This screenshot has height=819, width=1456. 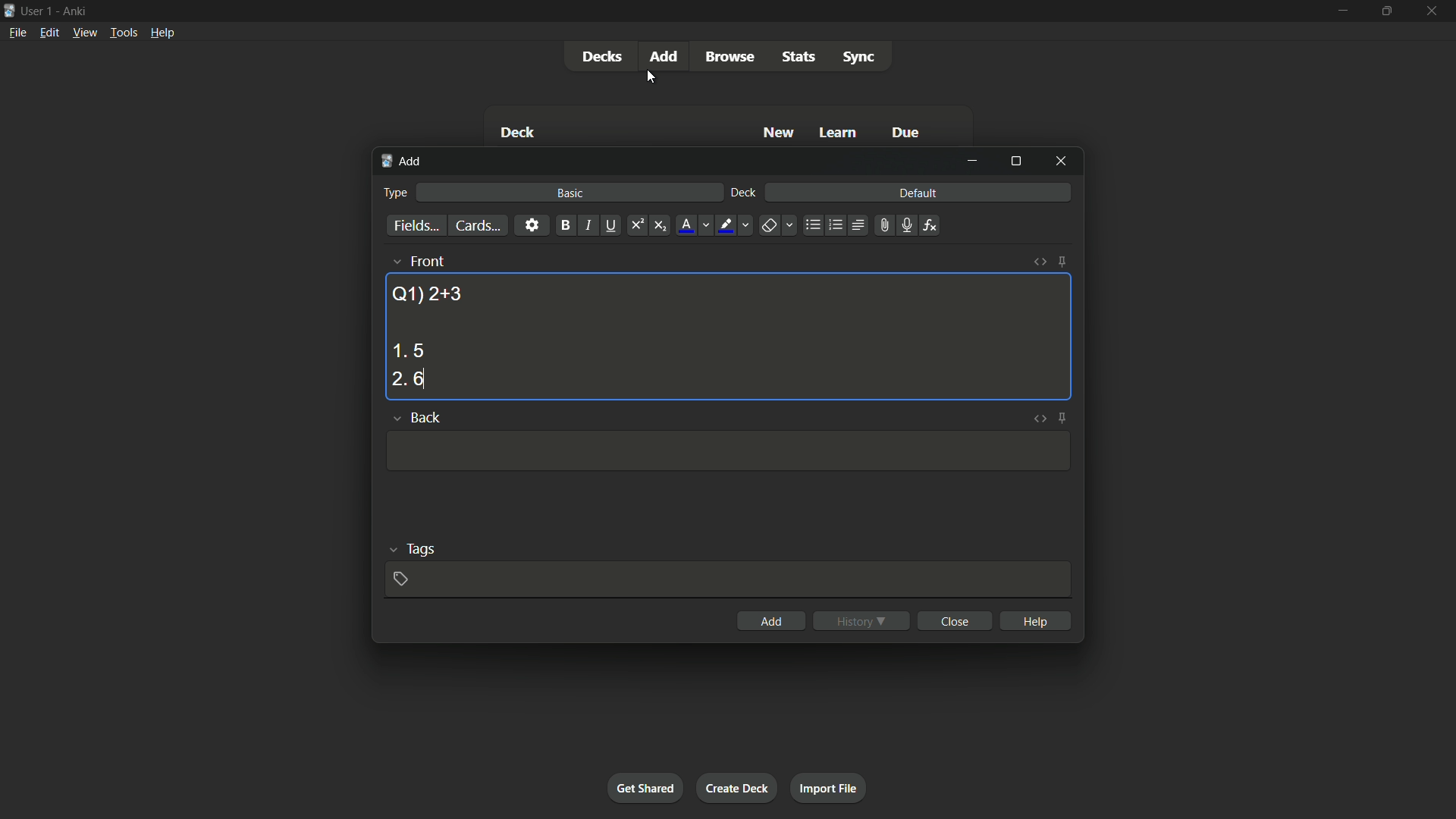 I want to click on italic, so click(x=587, y=225).